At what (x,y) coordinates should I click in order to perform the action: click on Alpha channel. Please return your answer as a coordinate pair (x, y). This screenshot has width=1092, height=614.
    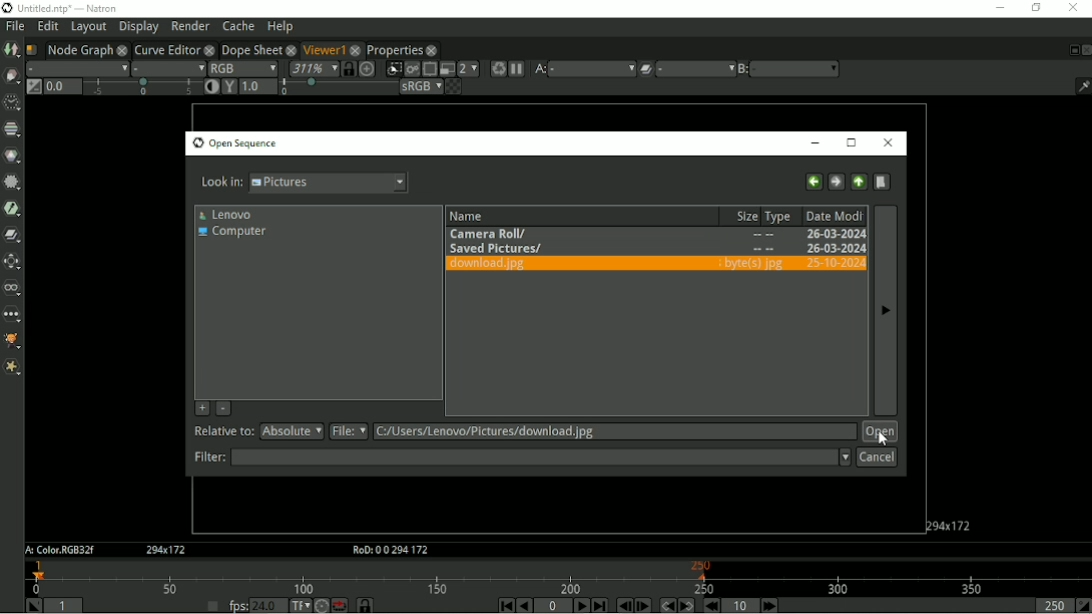
    Looking at the image, I should click on (169, 68).